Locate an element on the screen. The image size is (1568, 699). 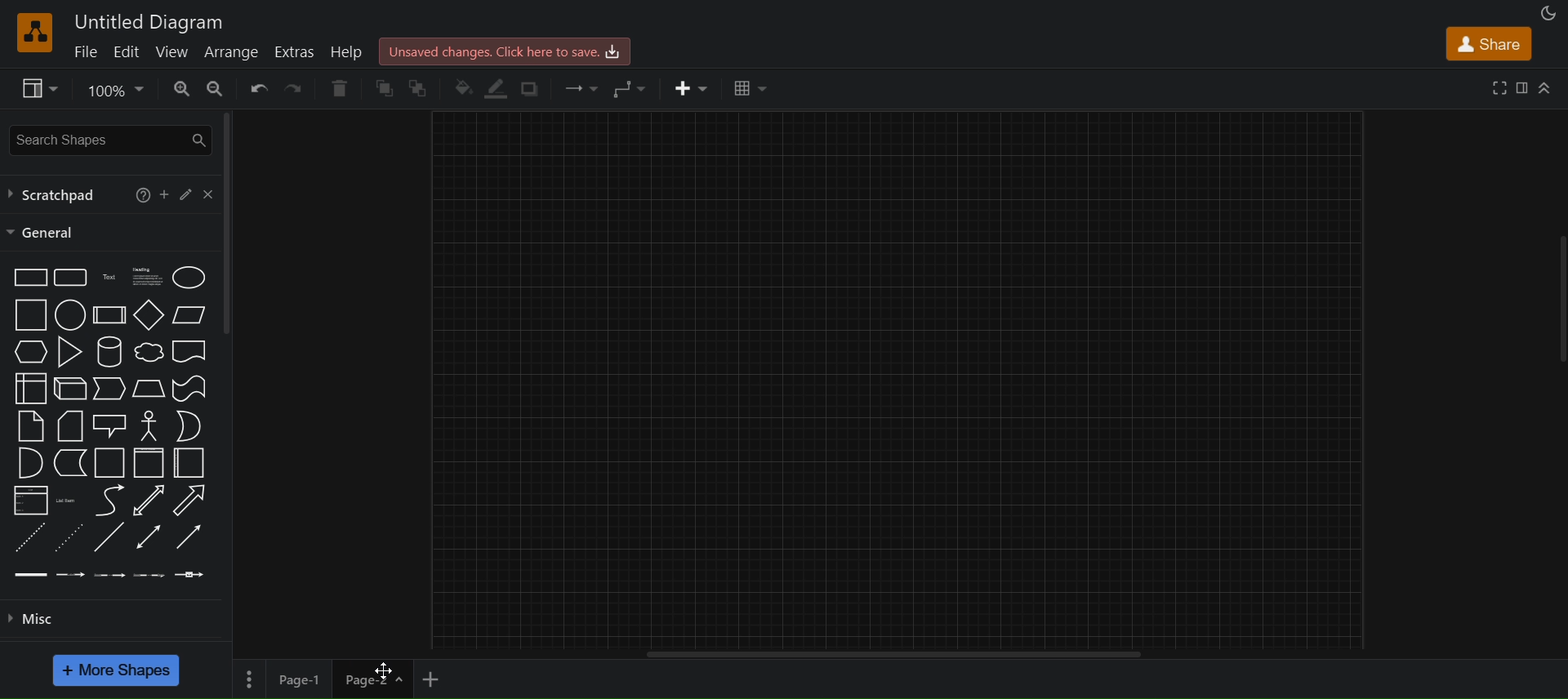
more shapes is located at coordinates (118, 670).